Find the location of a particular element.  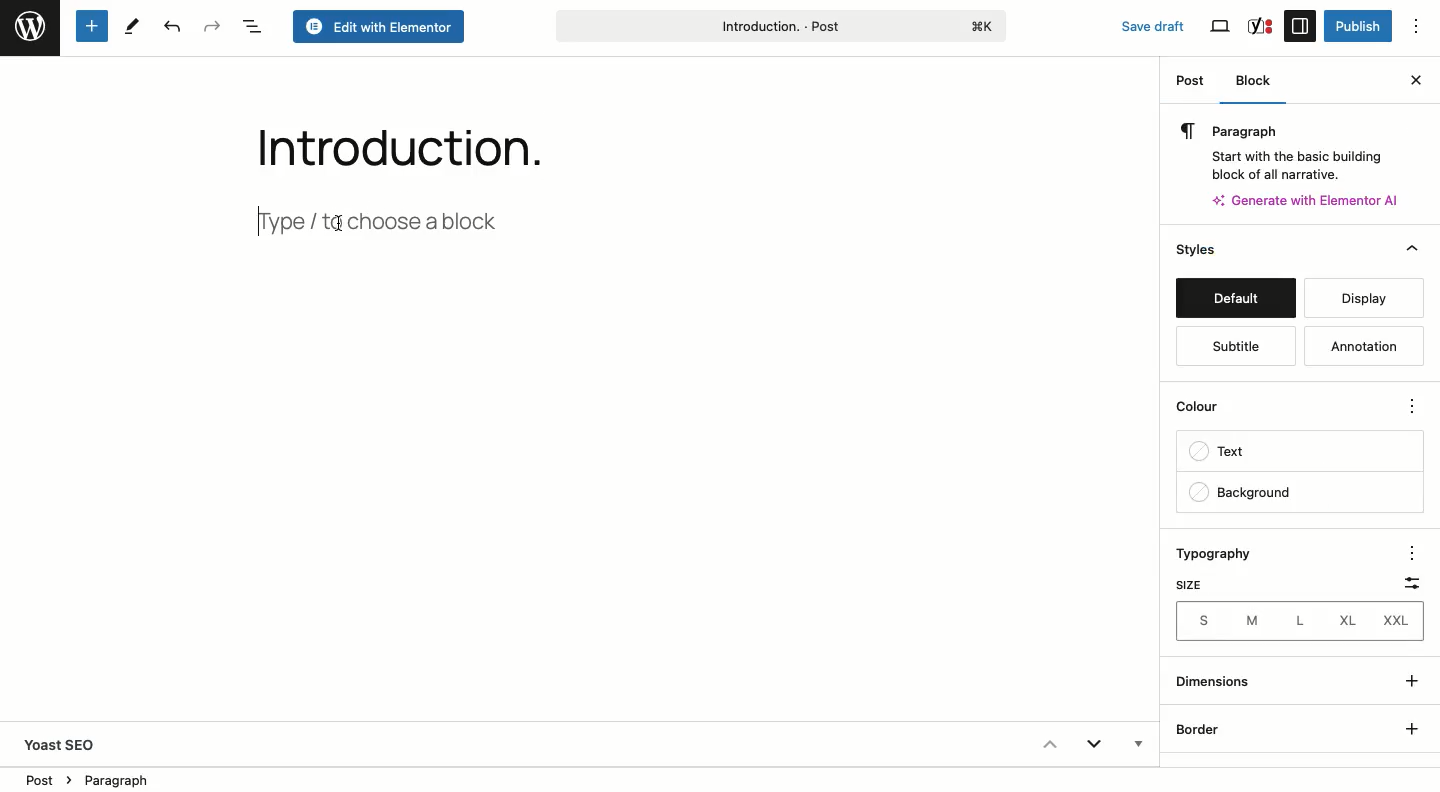

Typography  is located at coordinates (1223, 555).